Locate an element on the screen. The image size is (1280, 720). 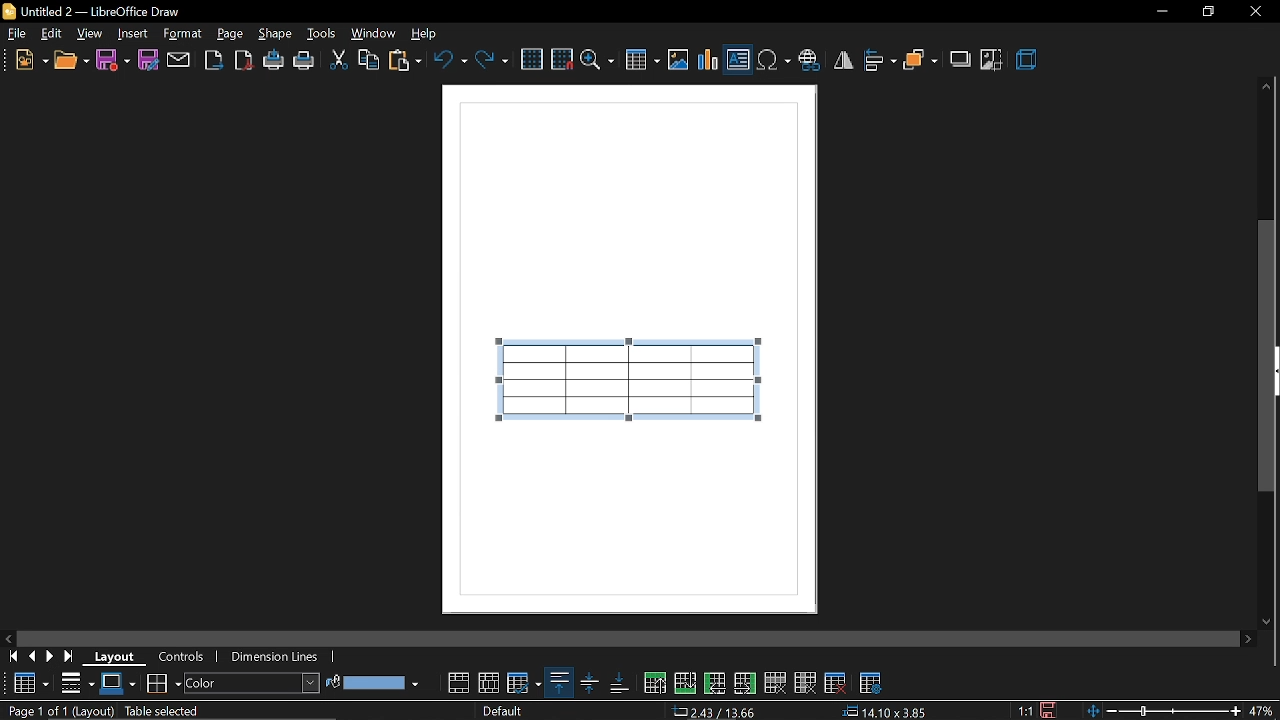
dimension lines is located at coordinates (279, 659).